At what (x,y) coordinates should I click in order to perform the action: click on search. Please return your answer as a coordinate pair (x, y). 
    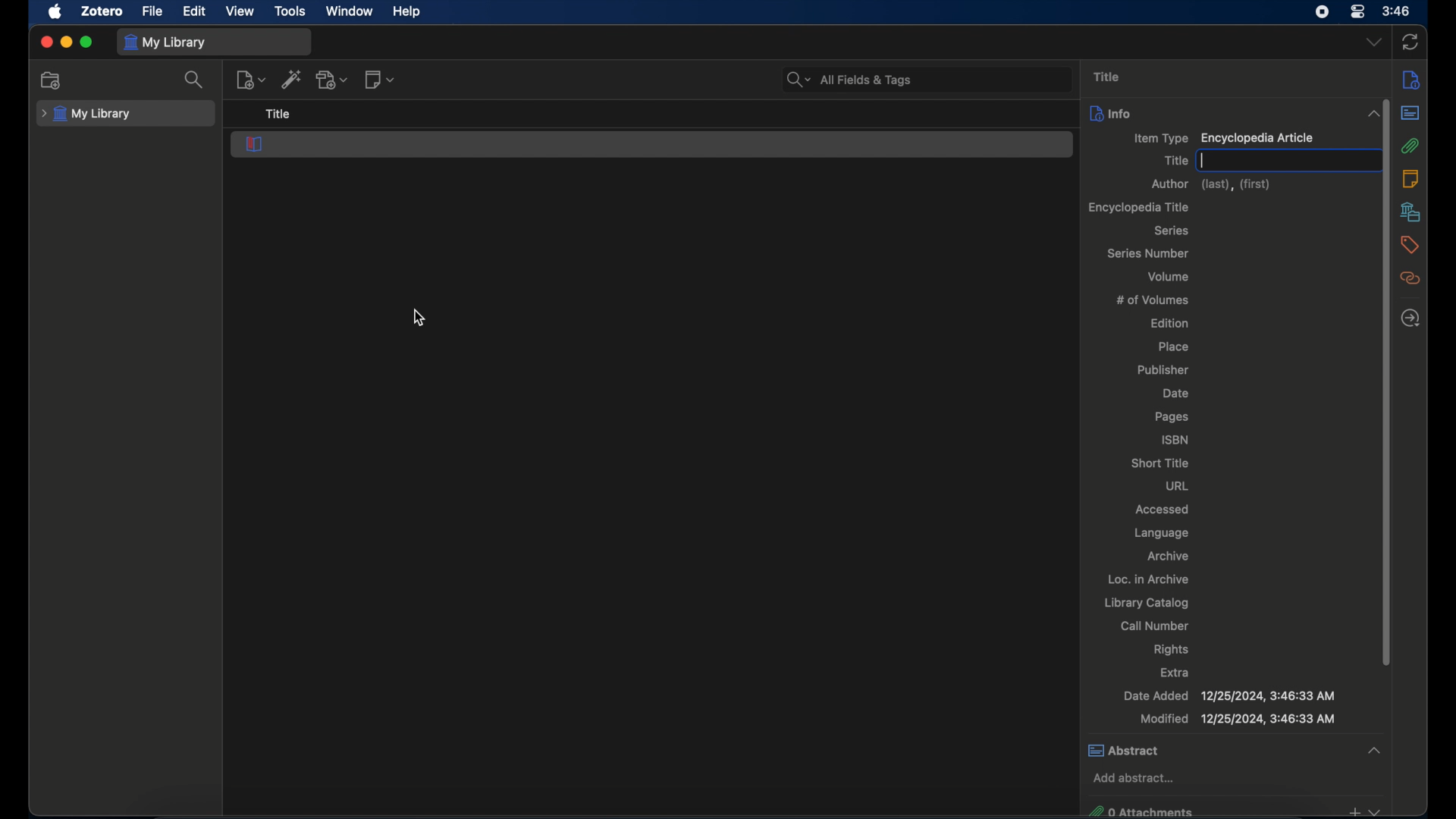
    Looking at the image, I should click on (194, 79).